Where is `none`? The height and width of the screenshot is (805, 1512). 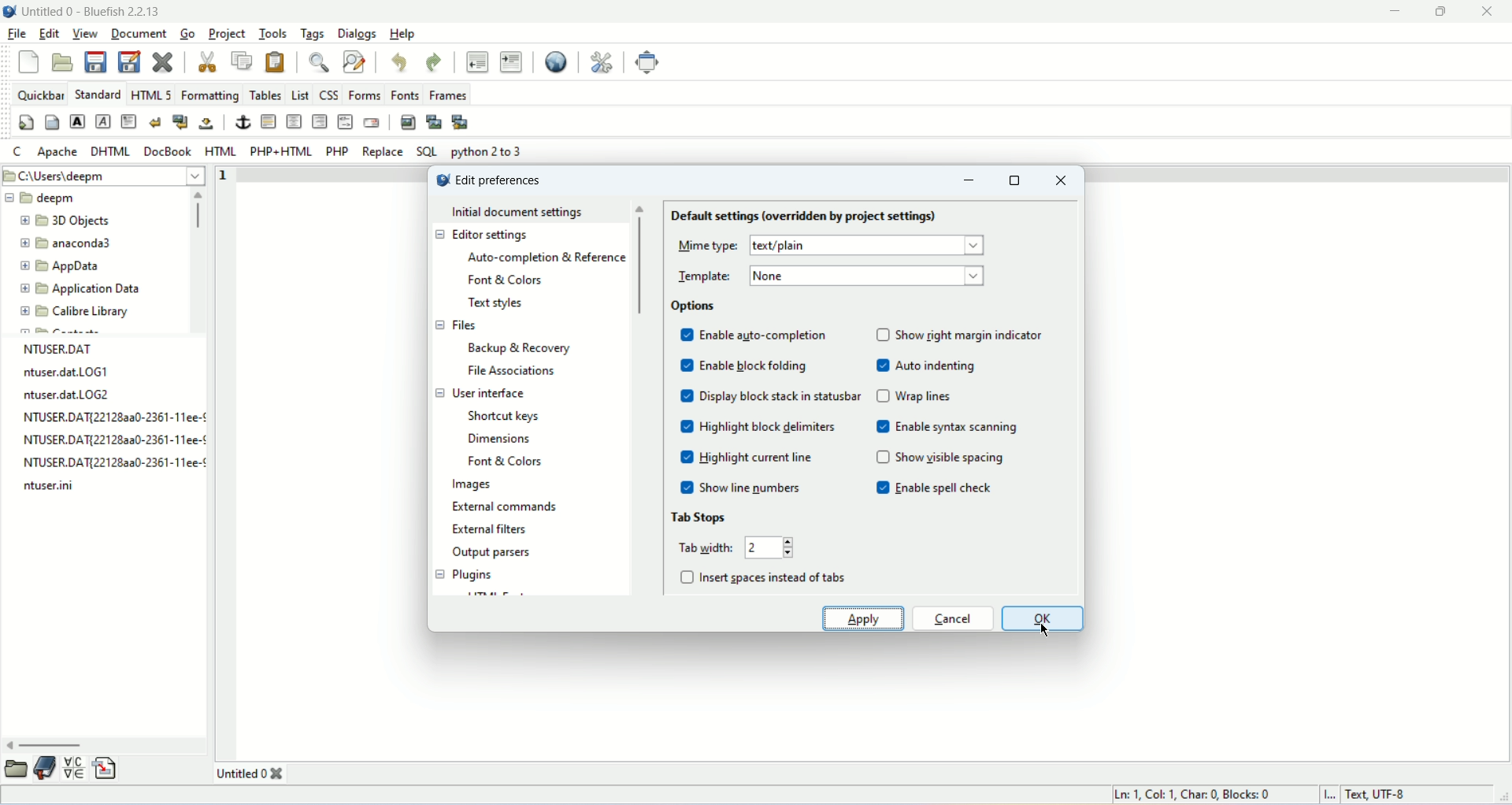
none is located at coordinates (774, 276).